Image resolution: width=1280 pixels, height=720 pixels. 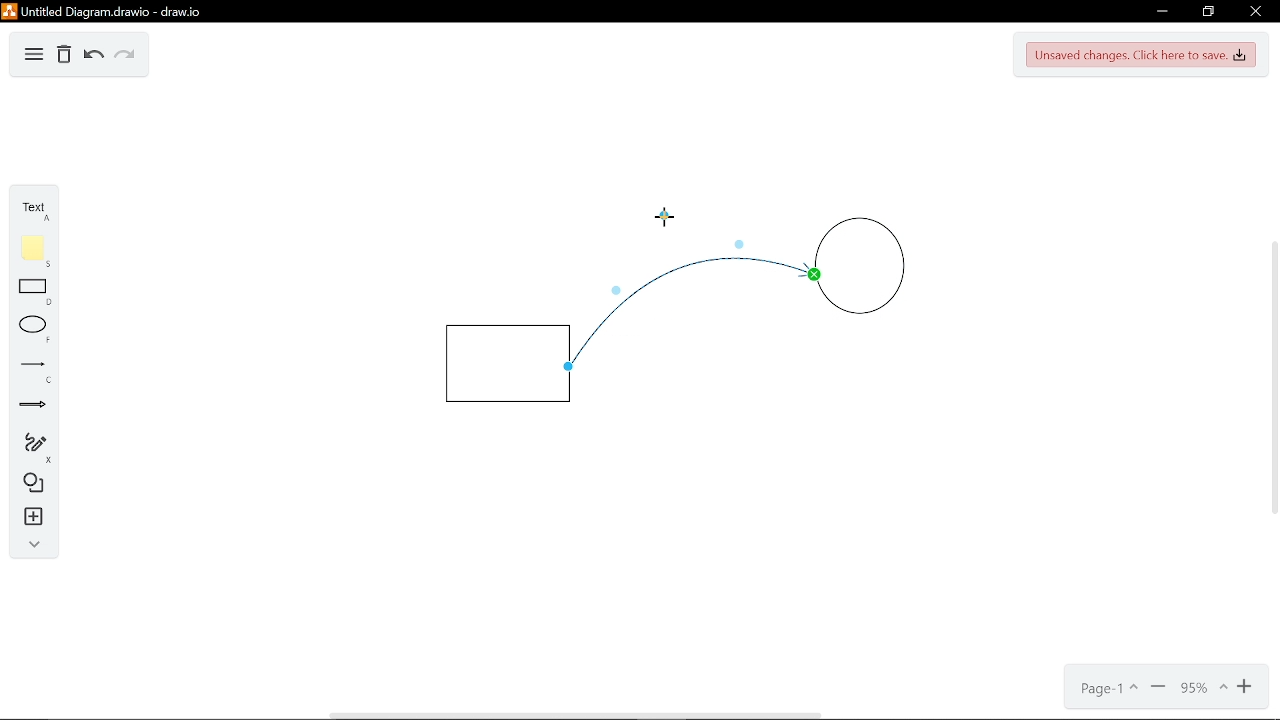 I want to click on Curve, so click(x=669, y=297).